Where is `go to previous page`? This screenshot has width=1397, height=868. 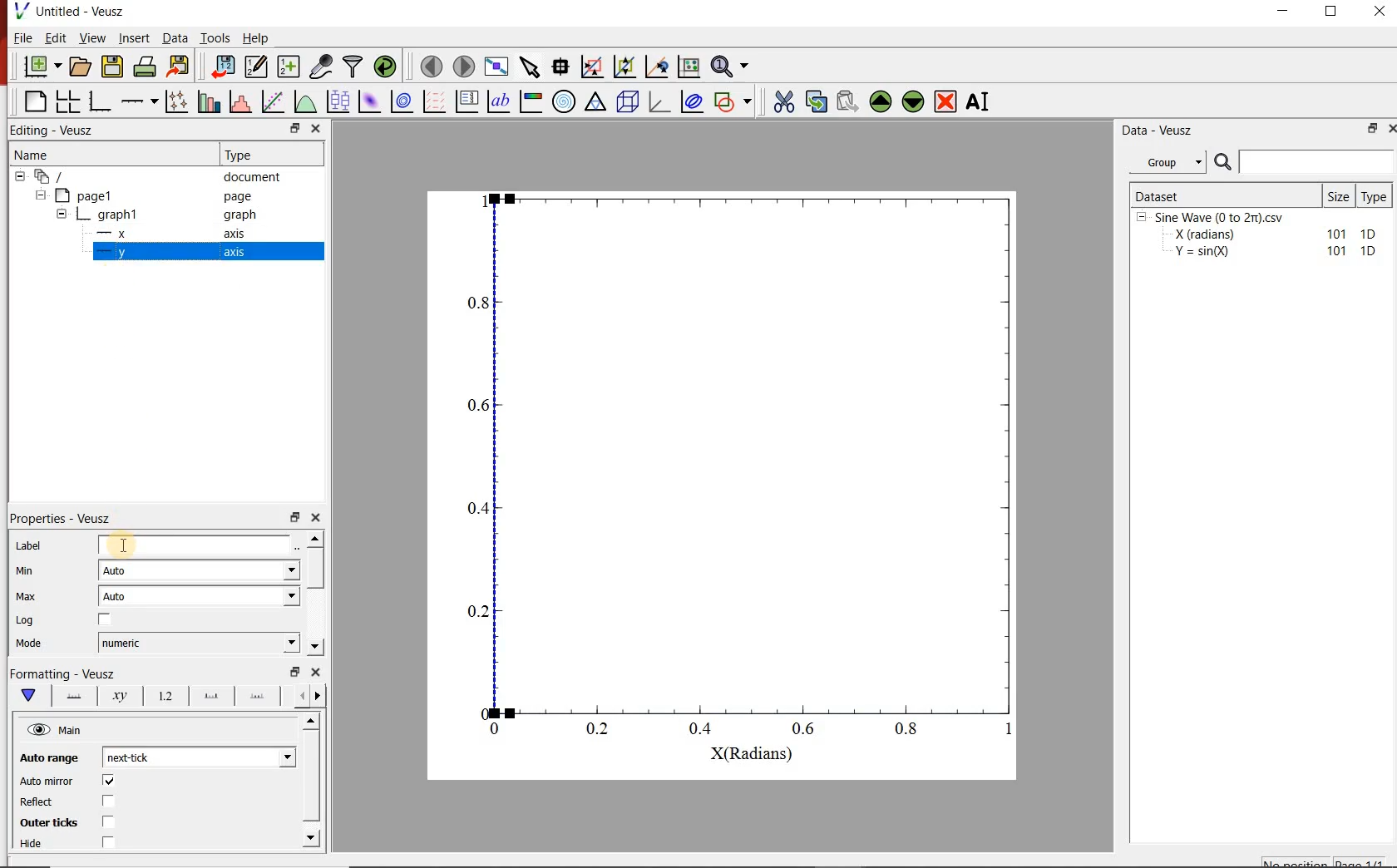
go to previous page is located at coordinates (431, 66).